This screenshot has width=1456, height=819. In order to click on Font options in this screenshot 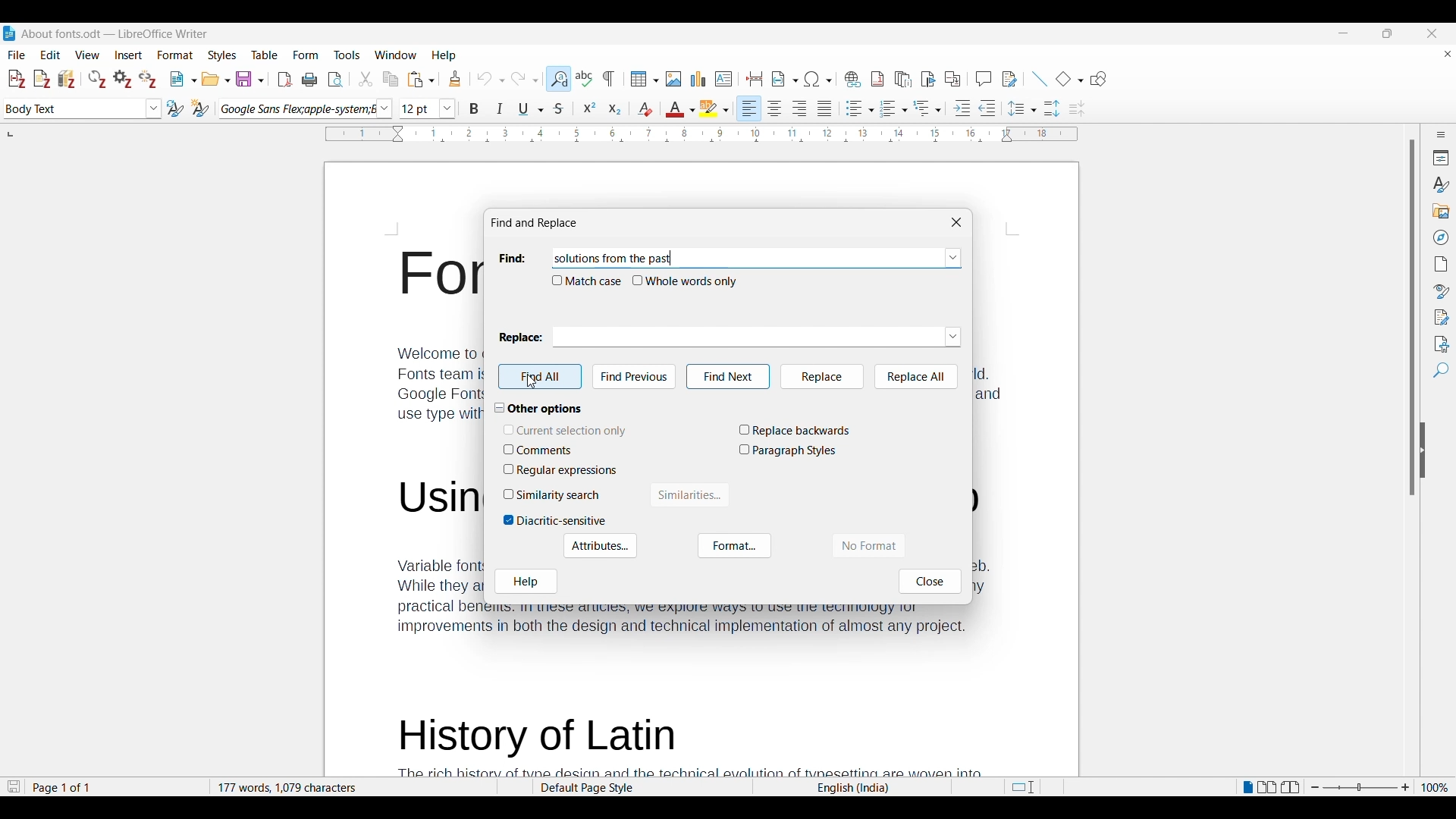, I will do `click(384, 108)`.